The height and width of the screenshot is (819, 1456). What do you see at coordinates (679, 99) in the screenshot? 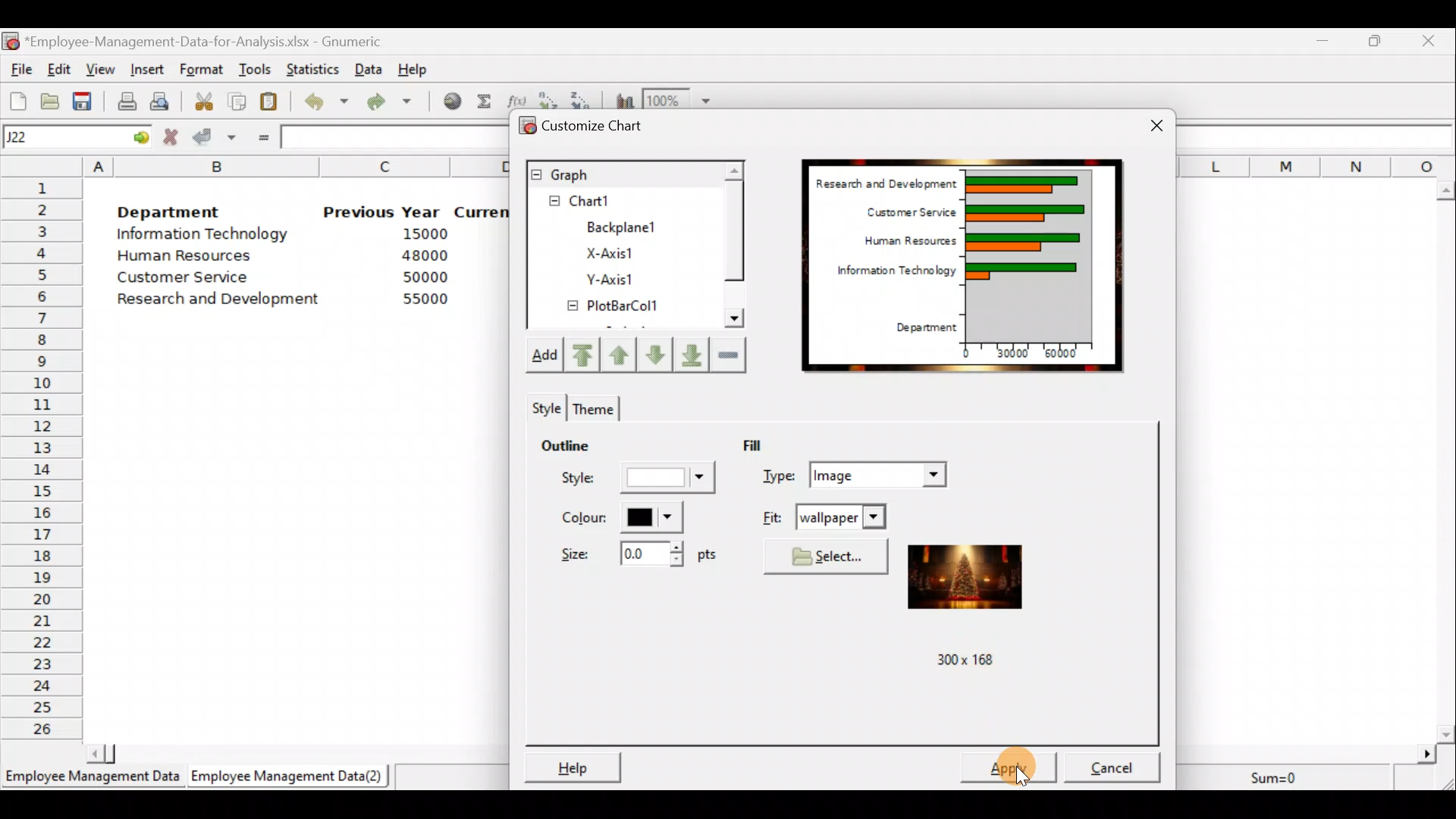
I see `Zoom` at bounding box center [679, 99].